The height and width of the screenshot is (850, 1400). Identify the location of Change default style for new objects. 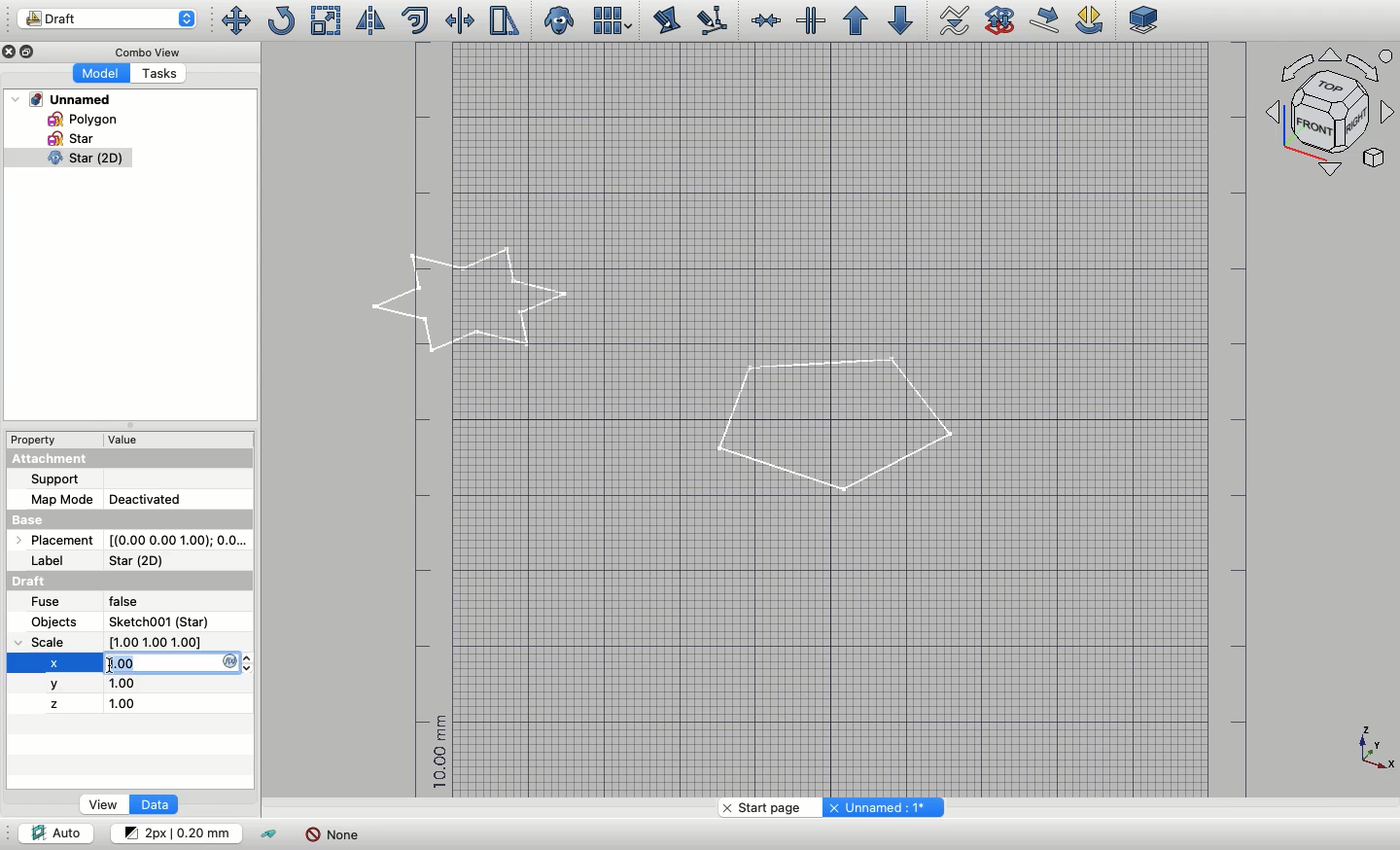
(174, 832).